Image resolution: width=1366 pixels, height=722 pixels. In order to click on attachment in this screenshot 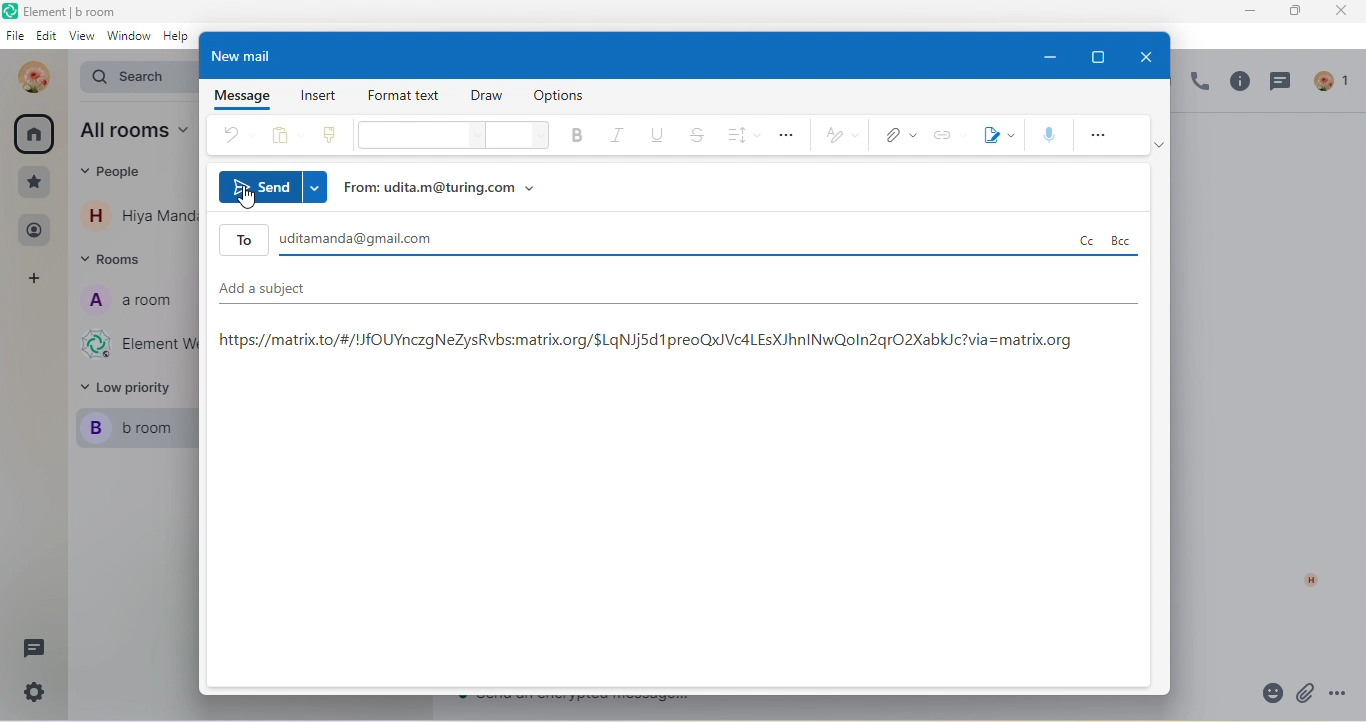, I will do `click(896, 136)`.